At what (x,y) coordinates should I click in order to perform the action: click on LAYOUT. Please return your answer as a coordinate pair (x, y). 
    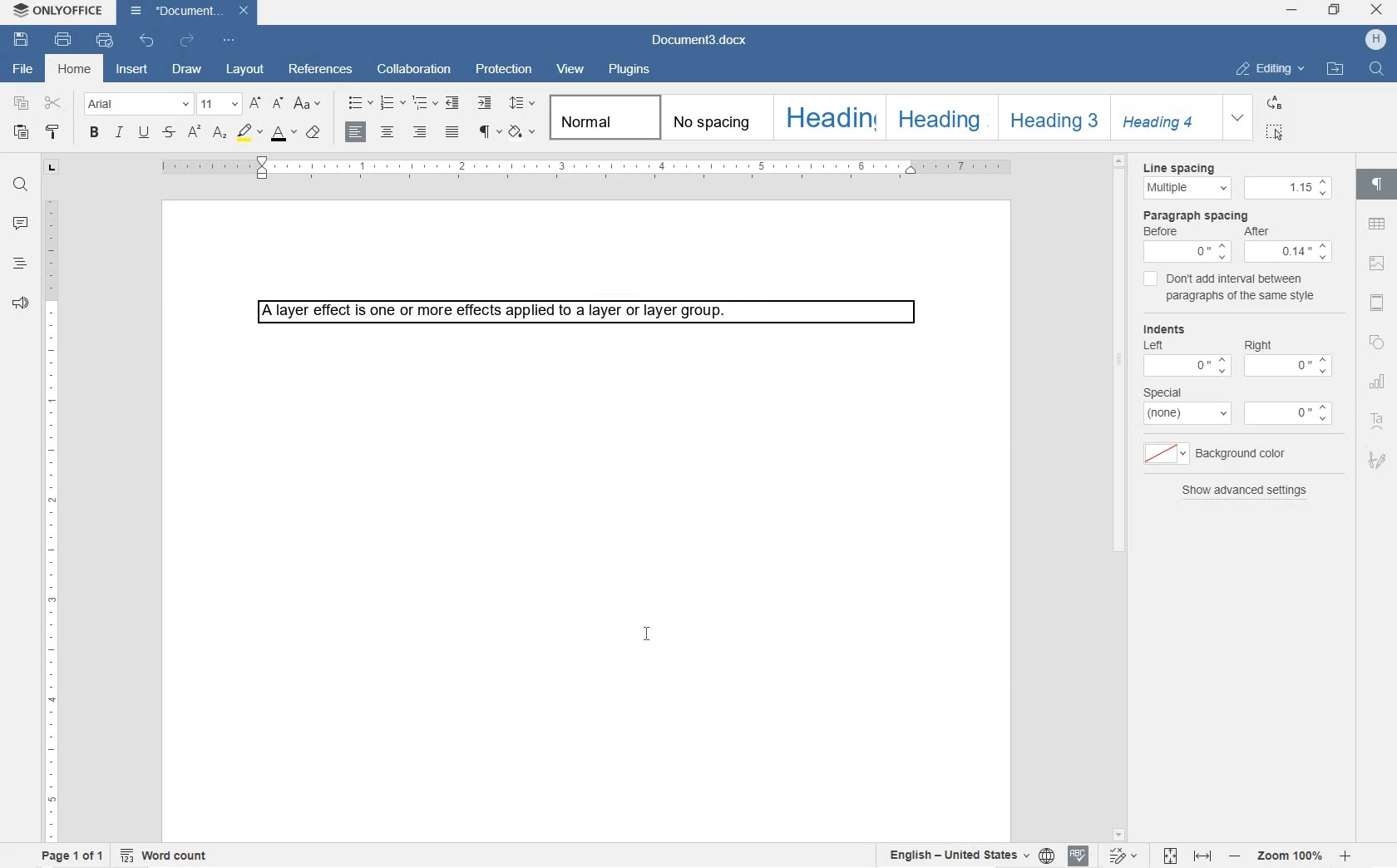
    Looking at the image, I should click on (243, 71).